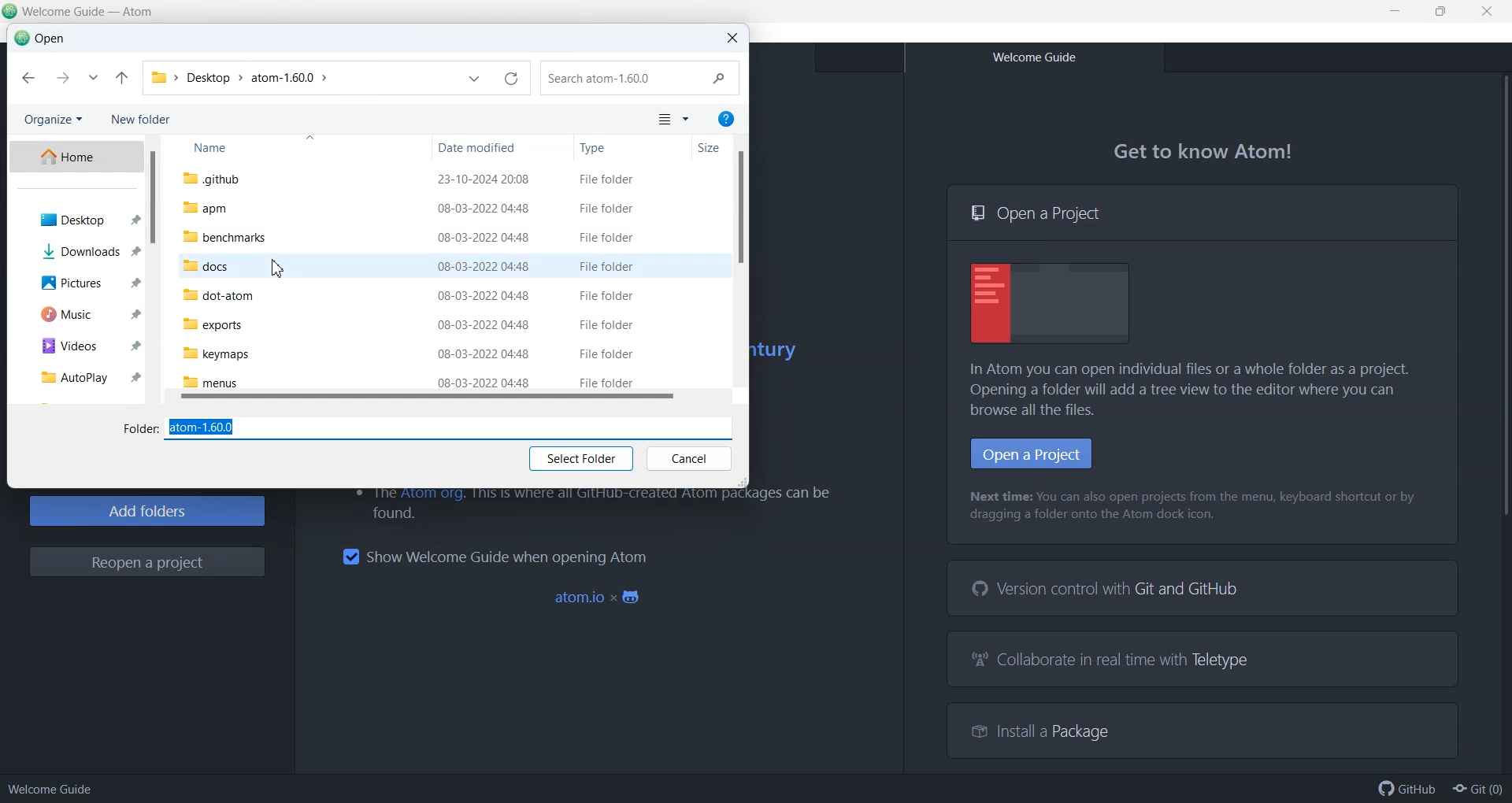 The image size is (1512, 803). Describe the element at coordinates (632, 148) in the screenshot. I see `Type` at that location.